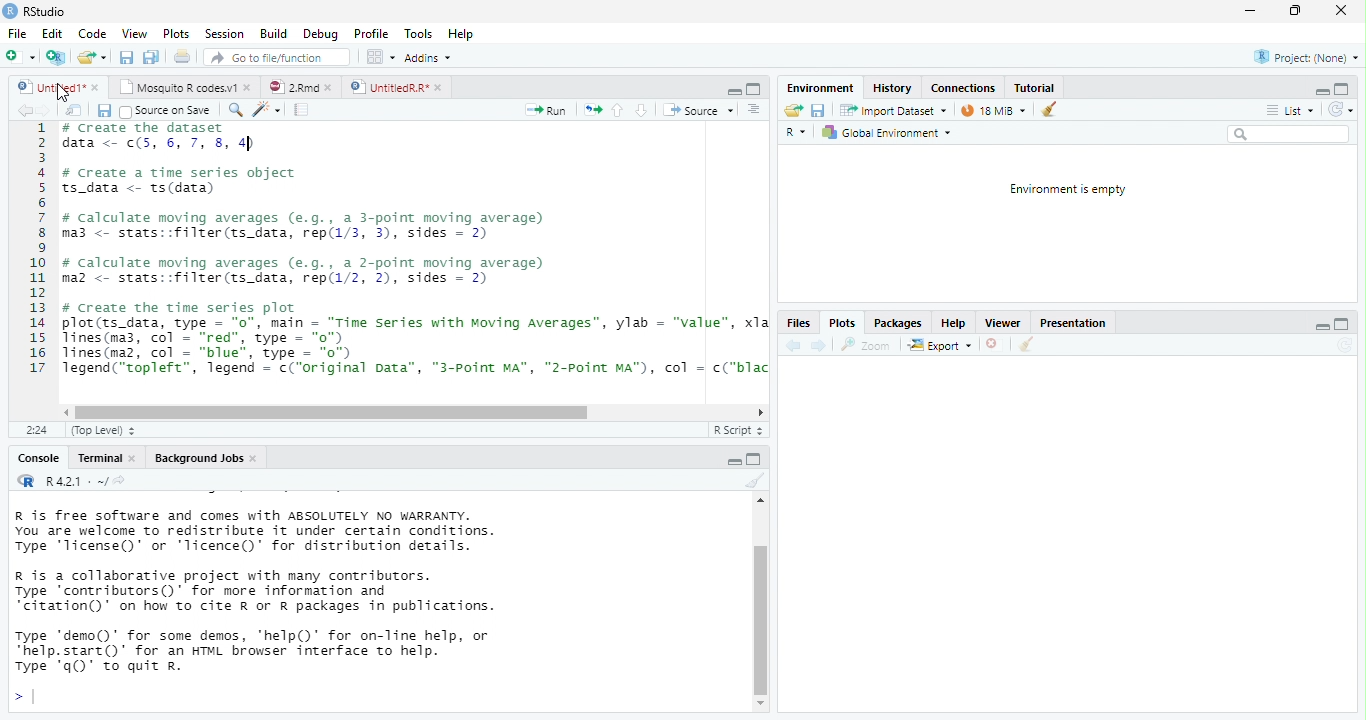  Describe the element at coordinates (250, 86) in the screenshot. I see `close` at that location.